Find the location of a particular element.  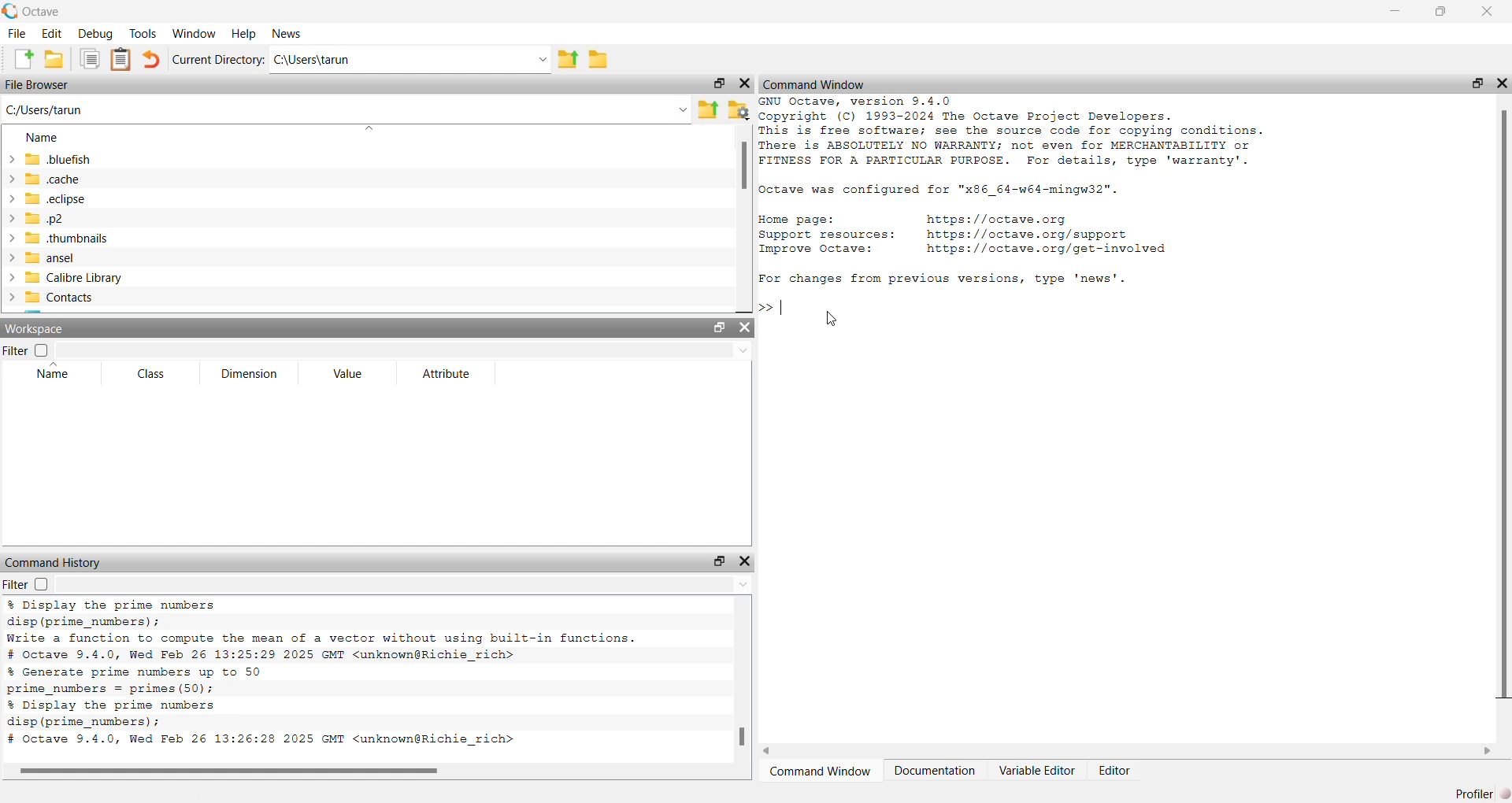

scroll bar is located at coordinates (742, 736).